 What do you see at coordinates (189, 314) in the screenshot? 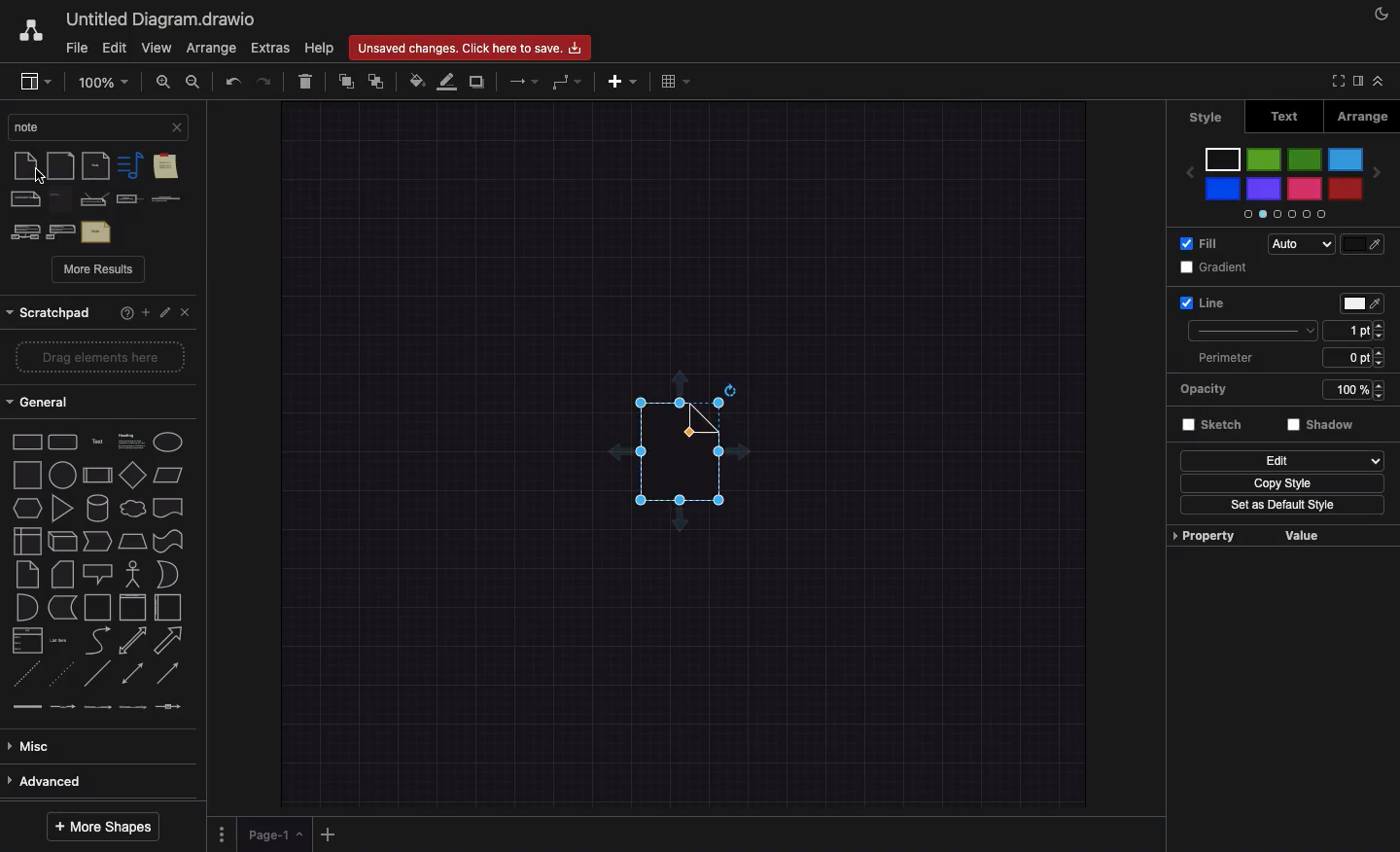
I see `close` at bounding box center [189, 314].